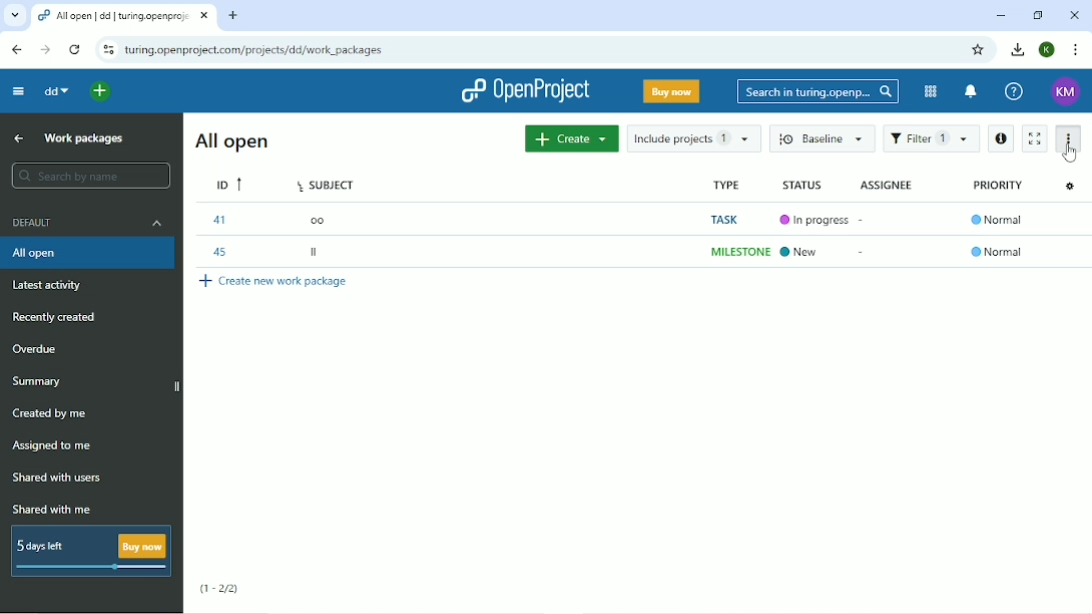 The width and height of the screenshot is (1092, 614). I want to click on Create, so click(571, 138).